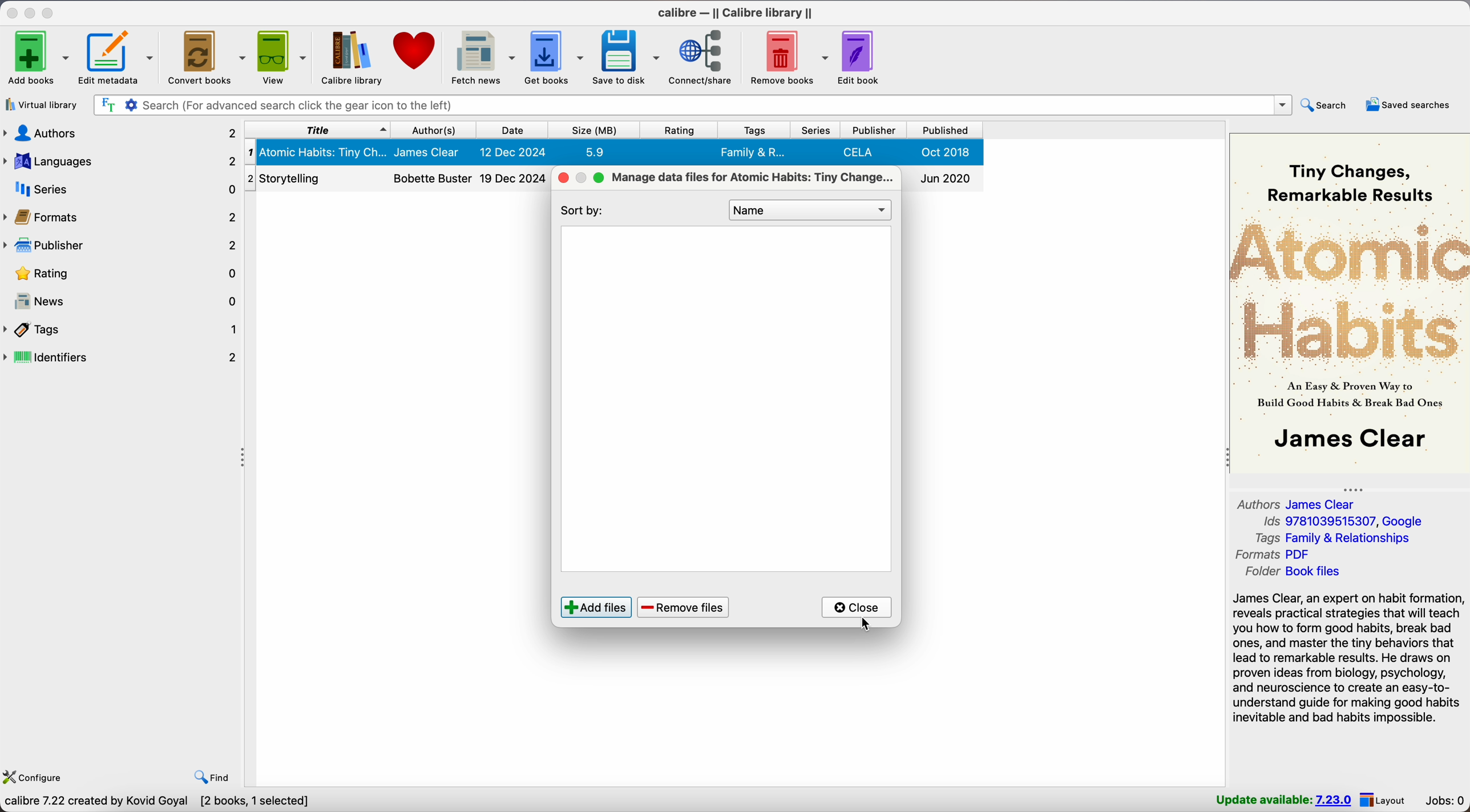 The height and width of the screenshot is (812, 1470). What do you see at coordinates (396, 180) in the screenshot?
I see `Storytelling` at bounding box center [396, 180].